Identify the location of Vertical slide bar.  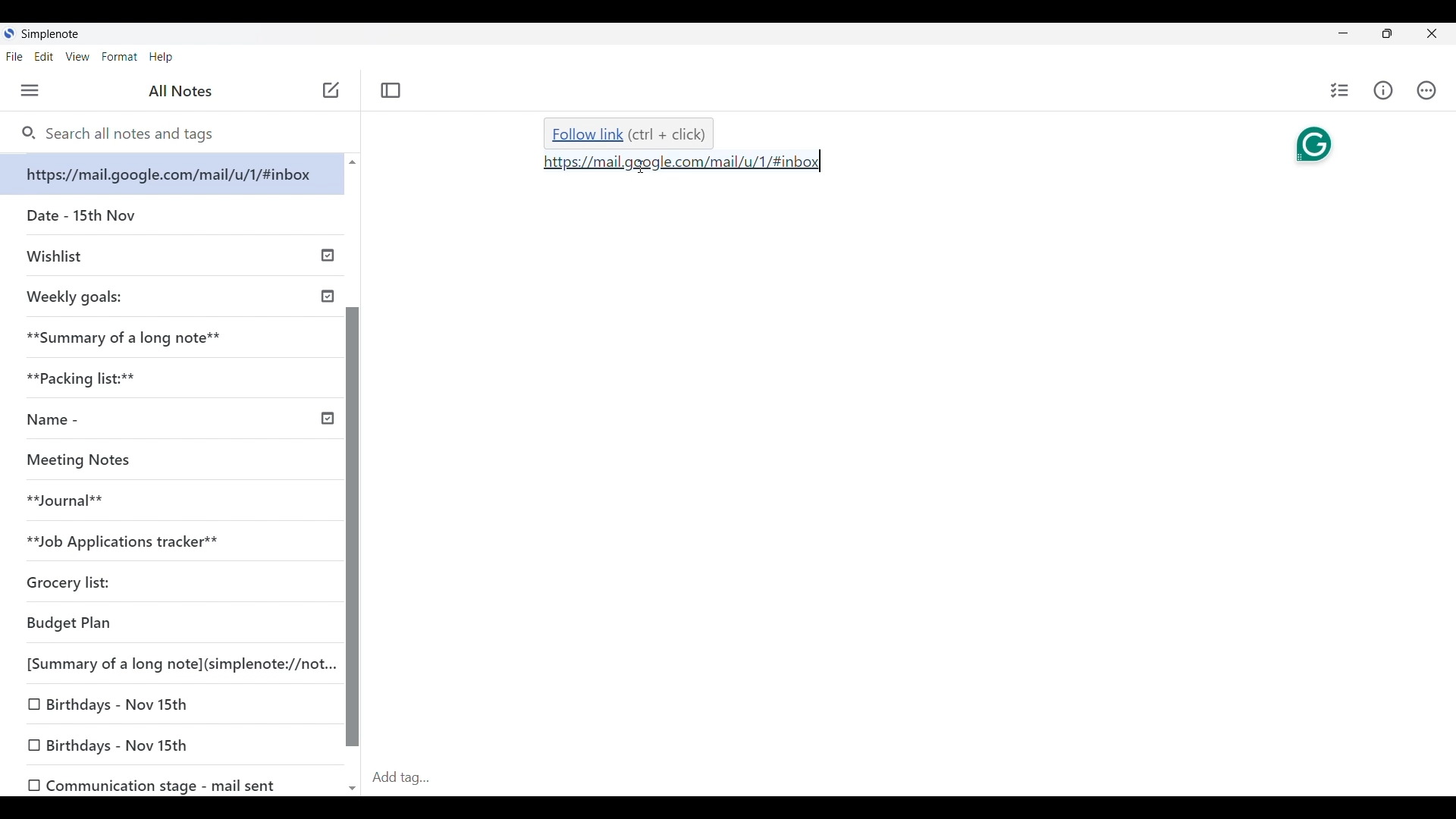
(354, 527).